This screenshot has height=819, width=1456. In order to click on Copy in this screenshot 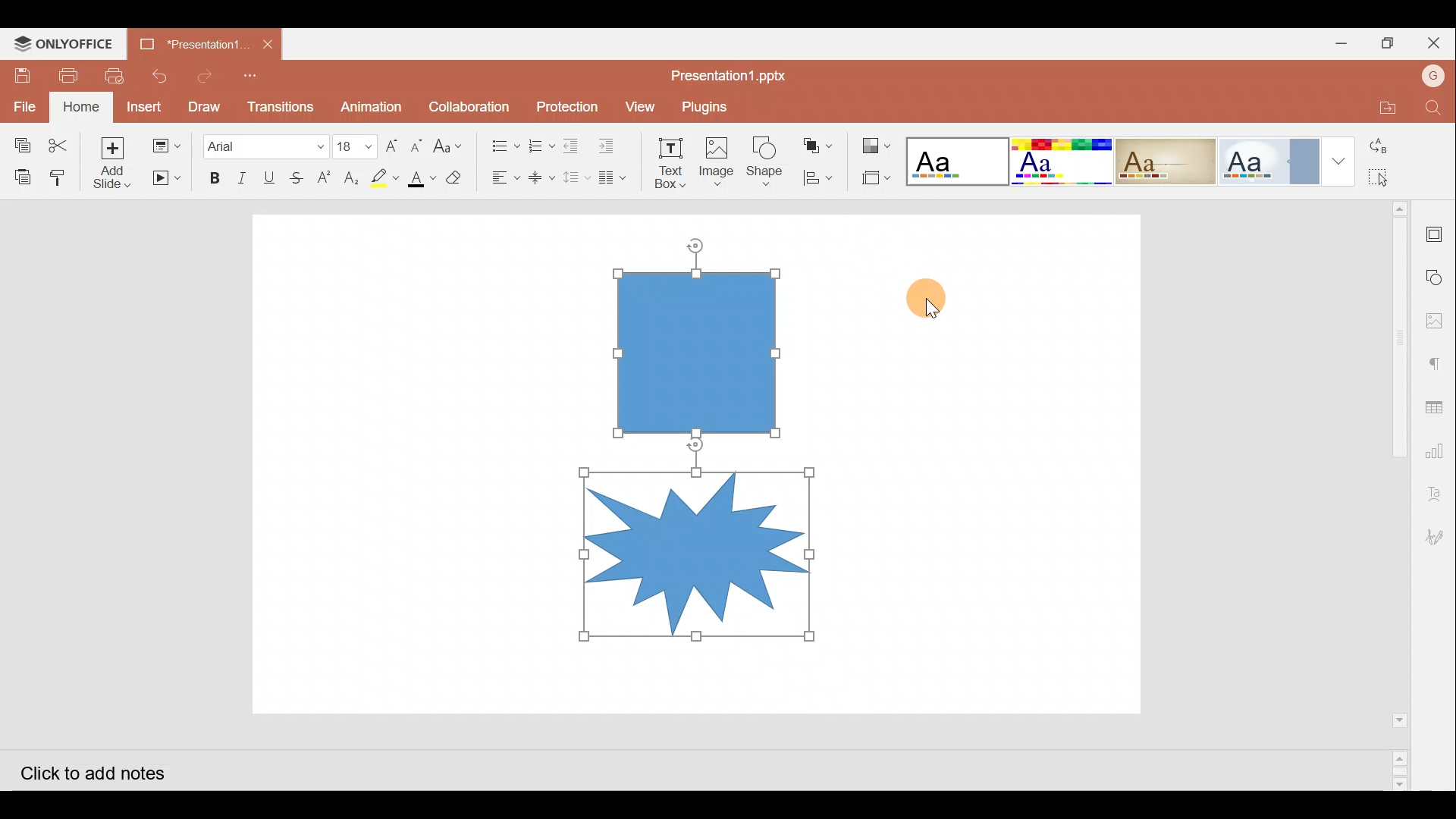, I will do `click(18, 140)`.